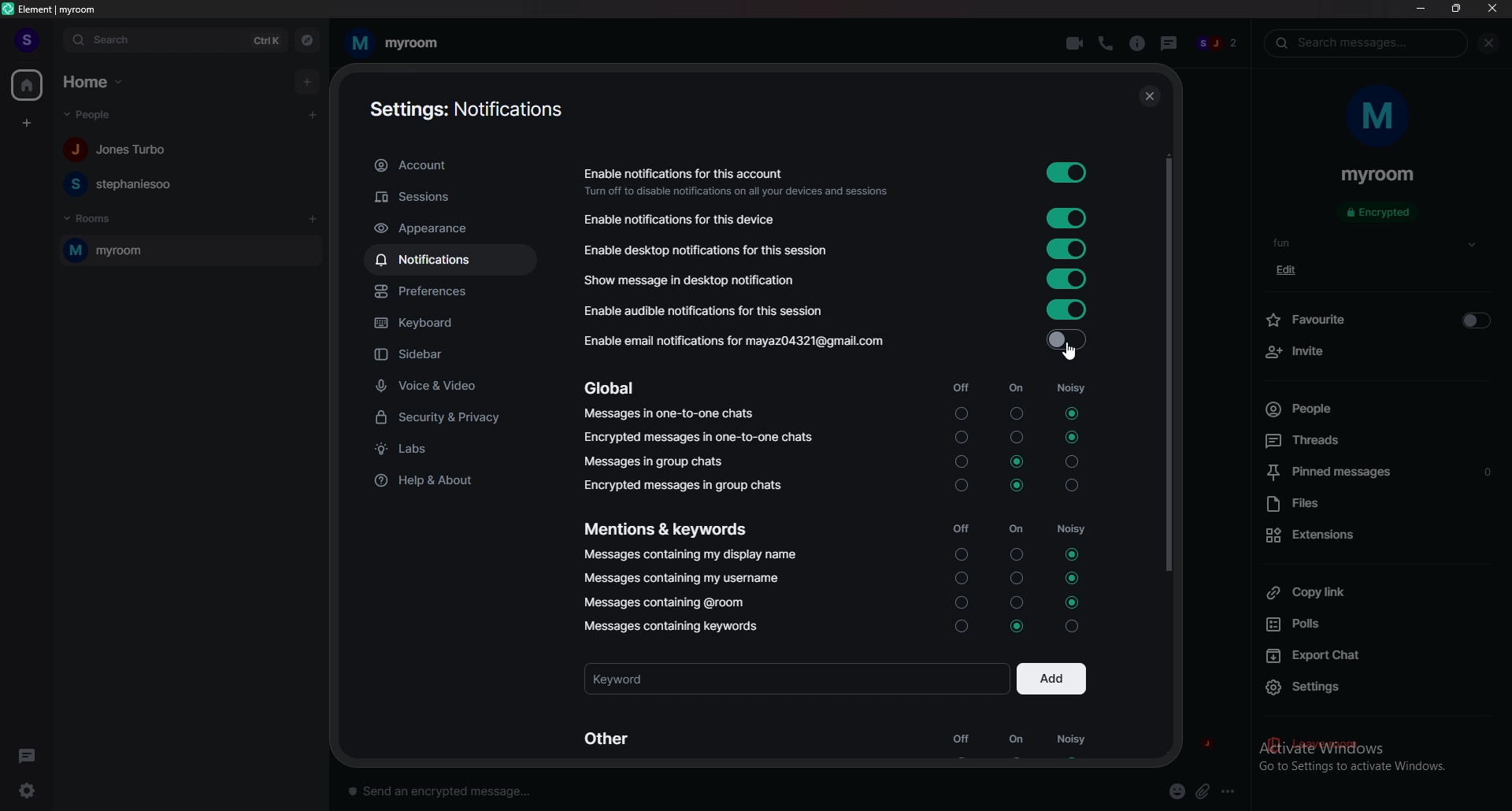  I want to click on people, so click(1217, 45).